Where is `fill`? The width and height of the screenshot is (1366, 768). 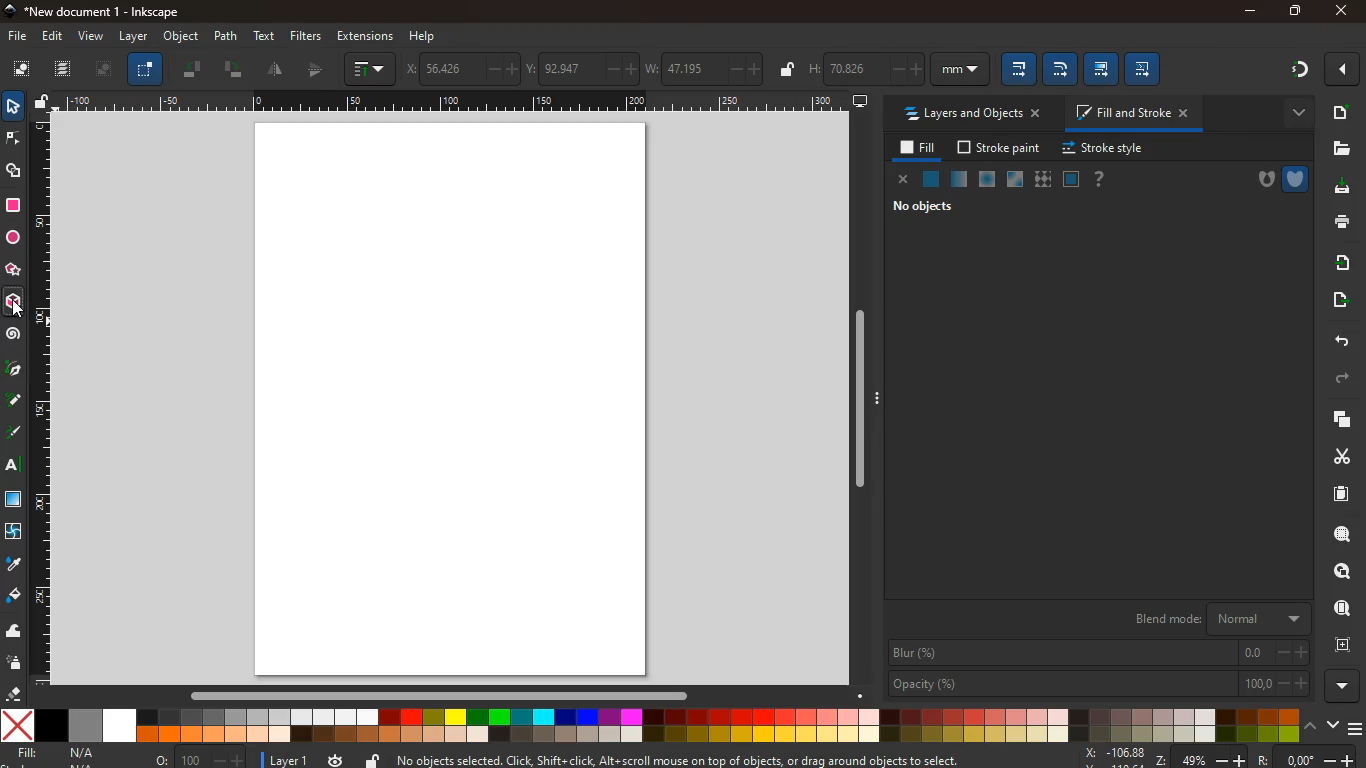 fill is located at coordinates (60, 753).